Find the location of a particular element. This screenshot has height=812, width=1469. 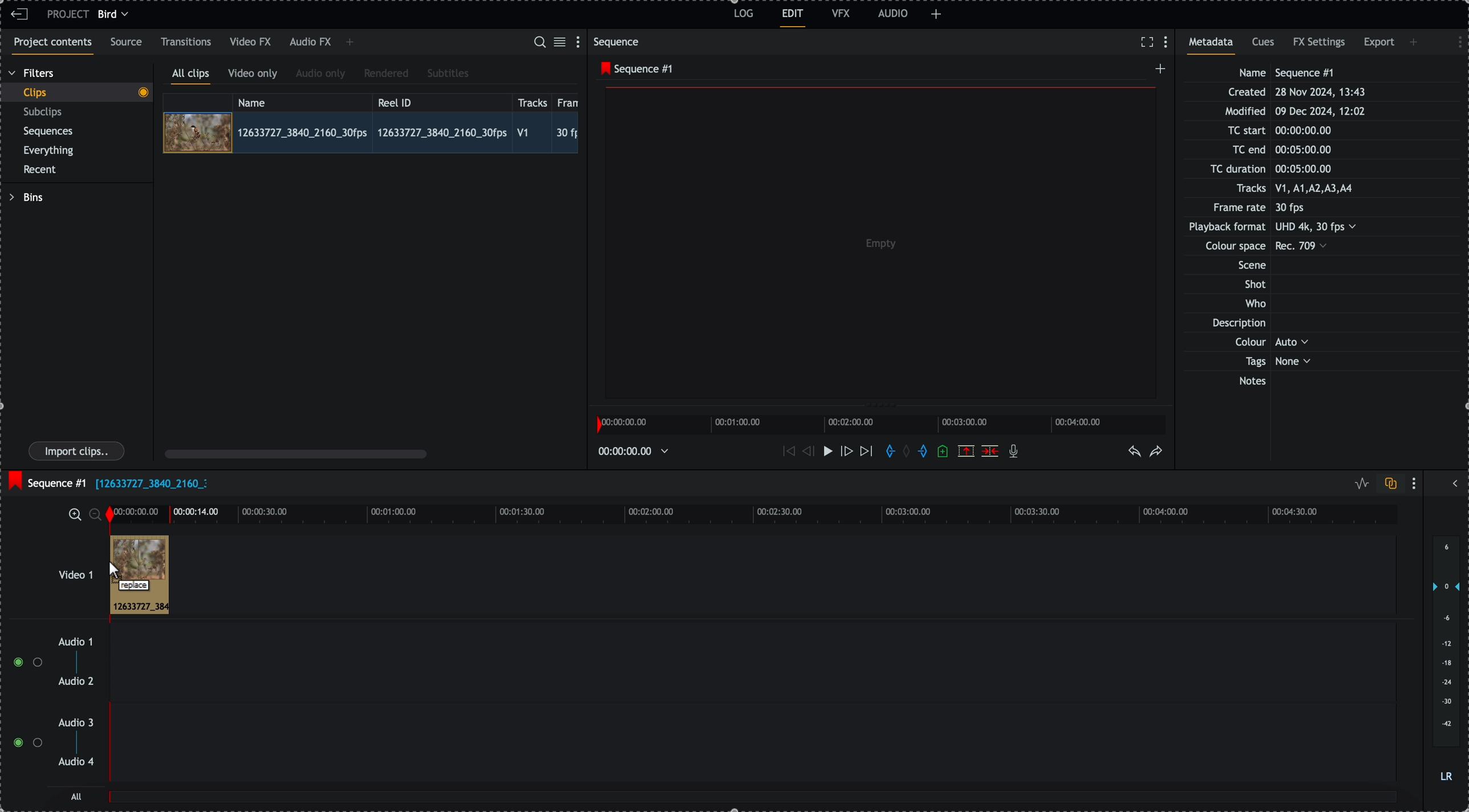

project bird is located at coordinates (91, 14).